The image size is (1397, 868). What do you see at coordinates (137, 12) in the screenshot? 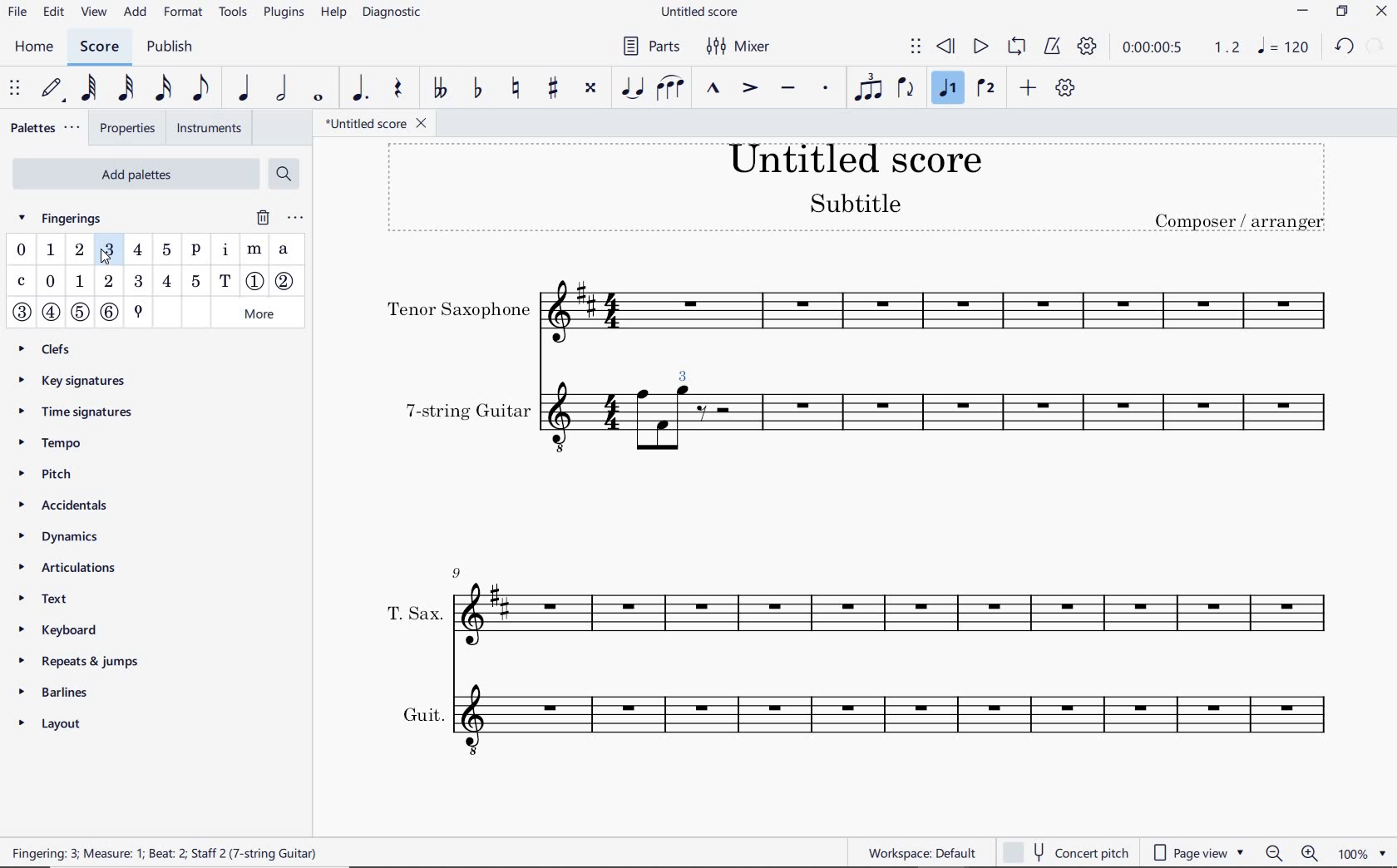
I see `ADD` at bounding box center [137, 12].